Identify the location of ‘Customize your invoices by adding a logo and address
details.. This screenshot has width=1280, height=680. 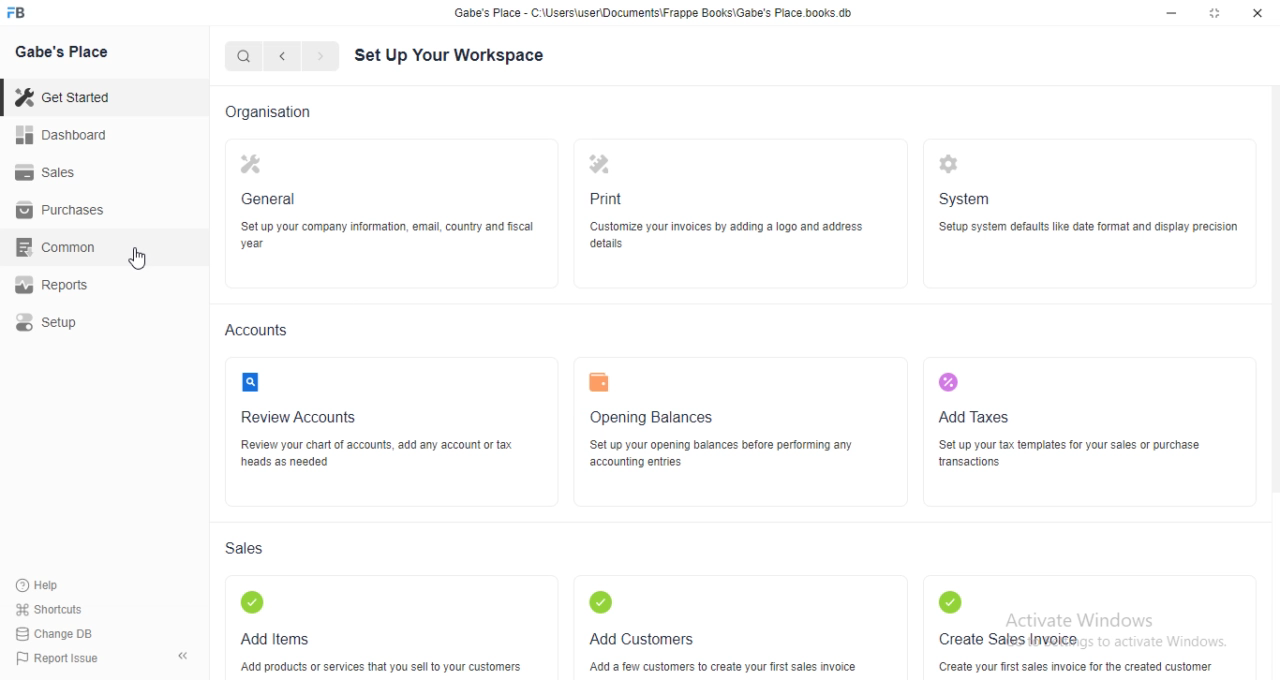
(727, 233).